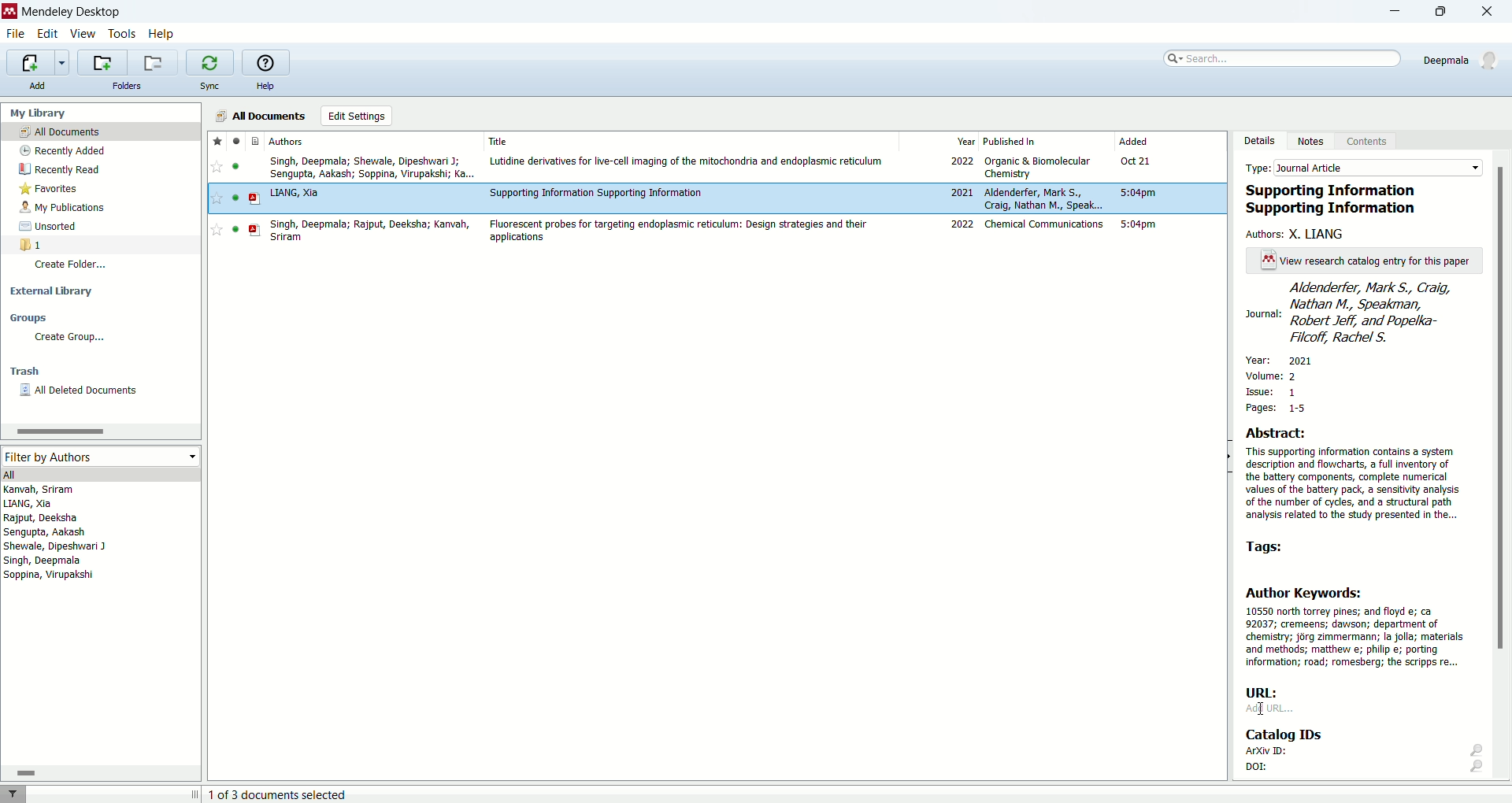 Image resolution: width=1512 pixels, height=803 pixels. Describe the element at coordinates (161, 35) in the screenshot. I see `help` at that location.